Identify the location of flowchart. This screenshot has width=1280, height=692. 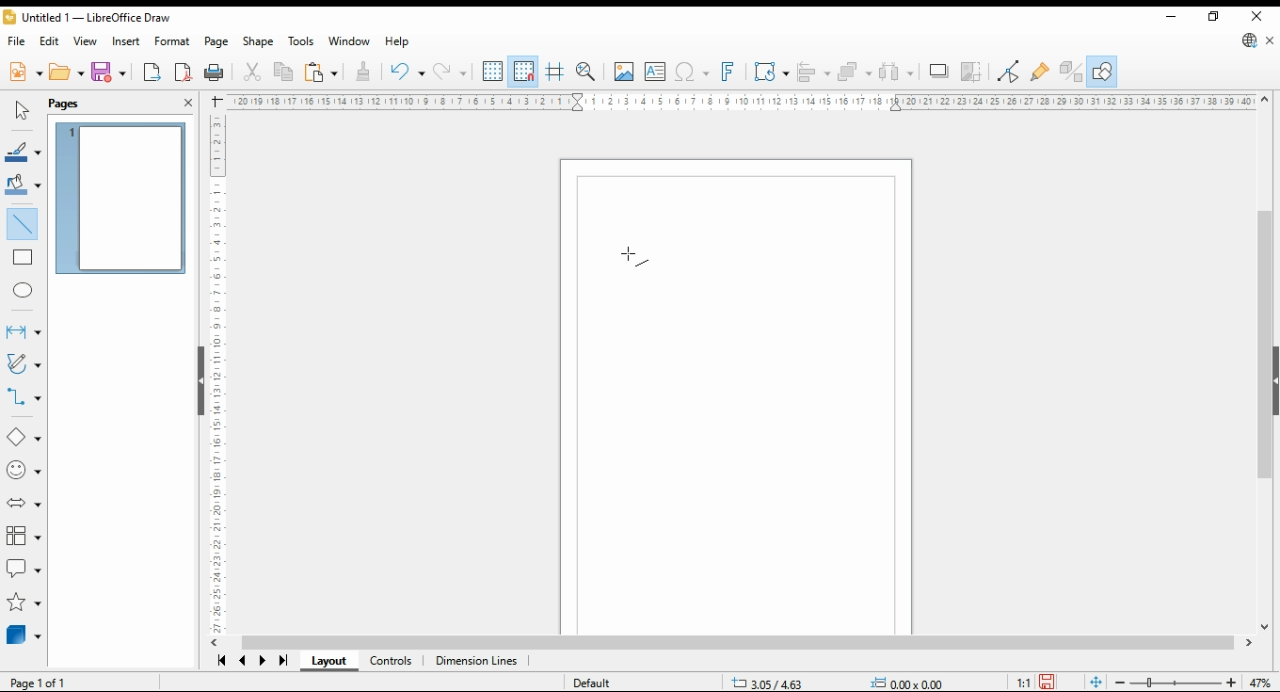
(21, 536).